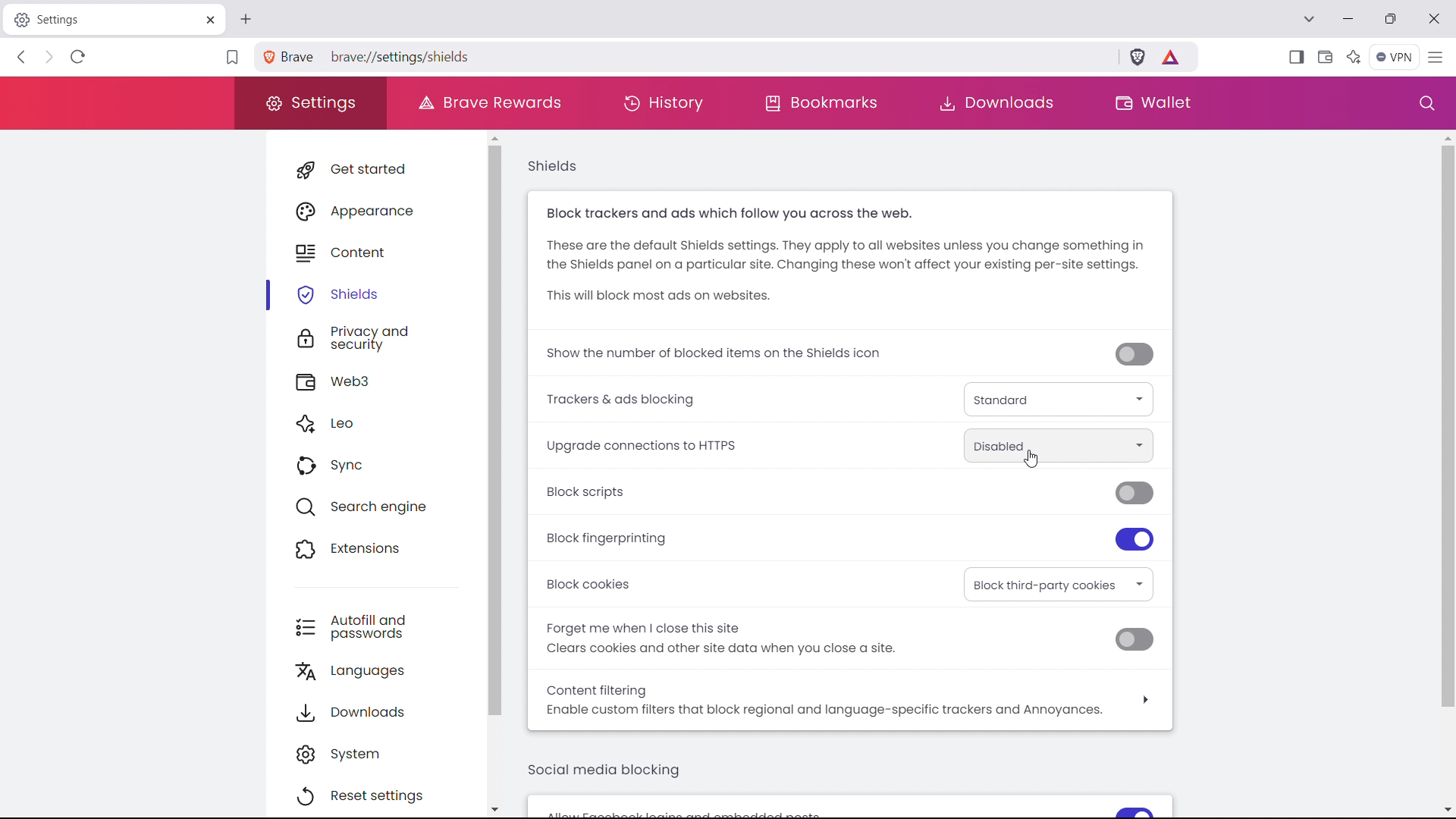  Describe the element at coordinates (384, 422) in the screenshot. I see `leo` at that location.